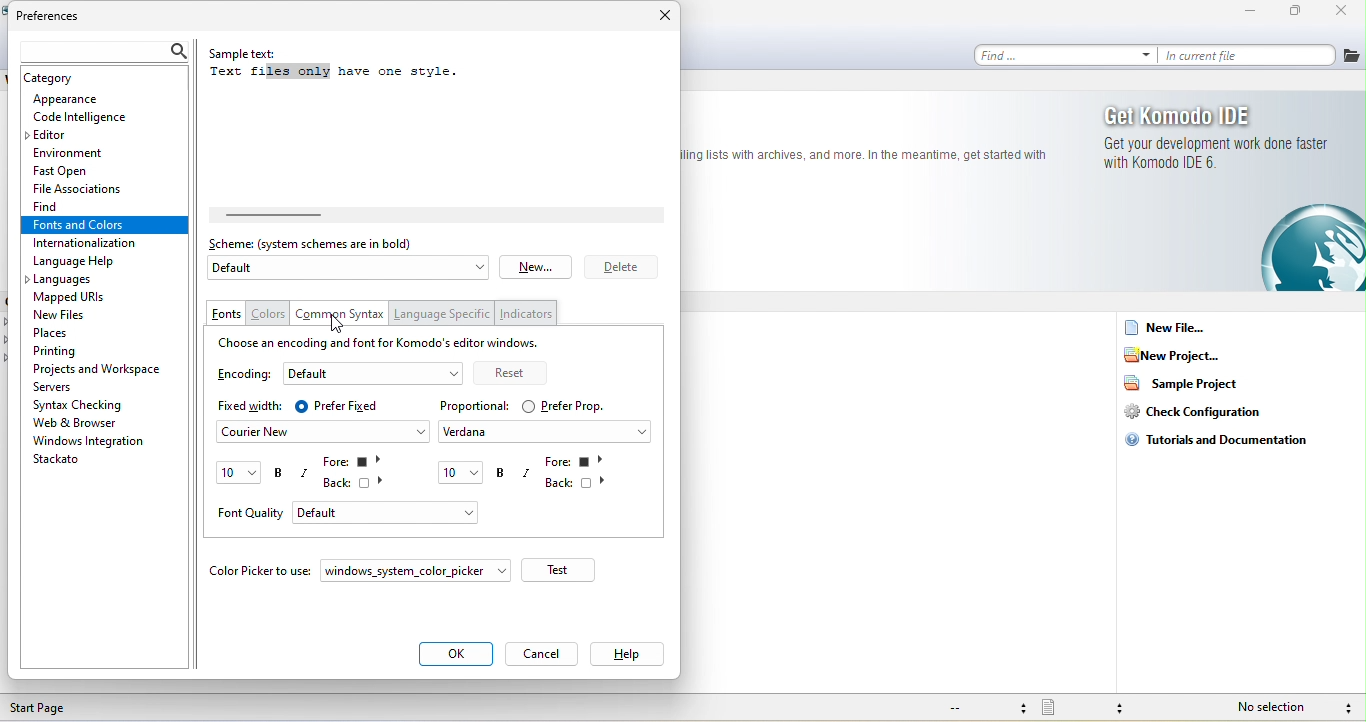 This screenshot has width=1366, height=722. I want to click on proportional, so click(471, 404).